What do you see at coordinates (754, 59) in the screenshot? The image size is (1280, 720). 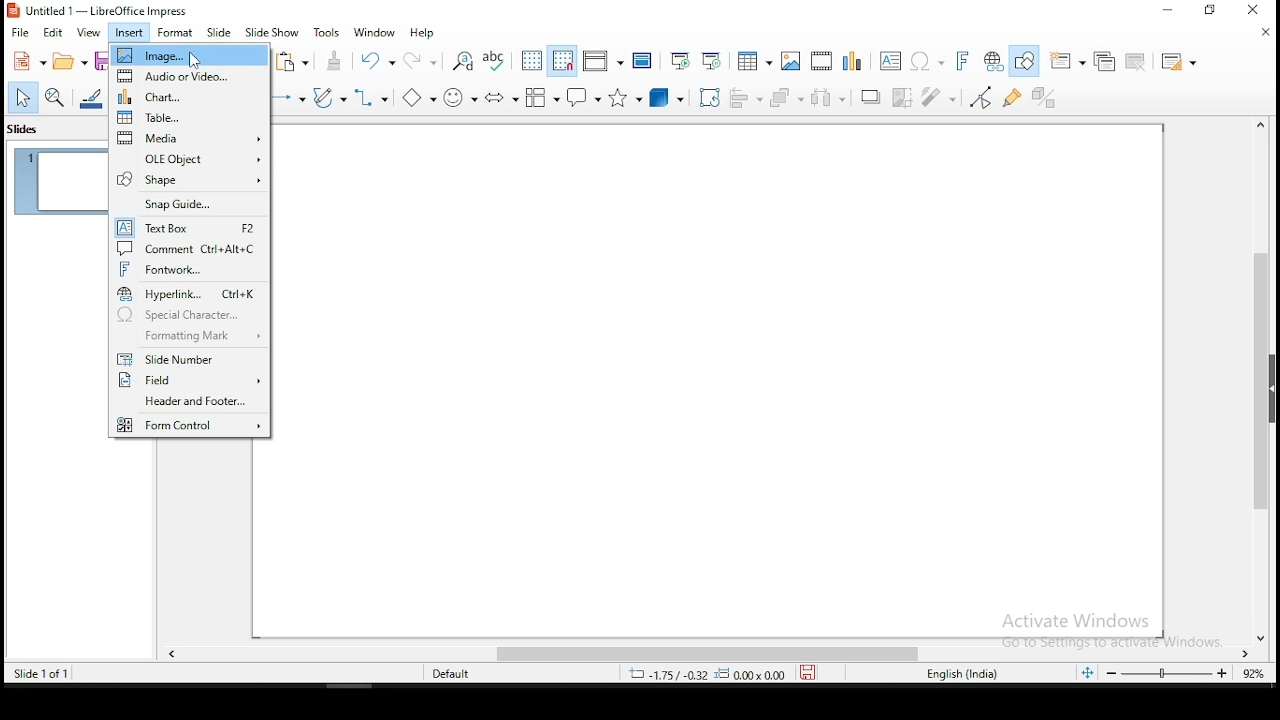 I see `table` at bounding box center [754, 59].